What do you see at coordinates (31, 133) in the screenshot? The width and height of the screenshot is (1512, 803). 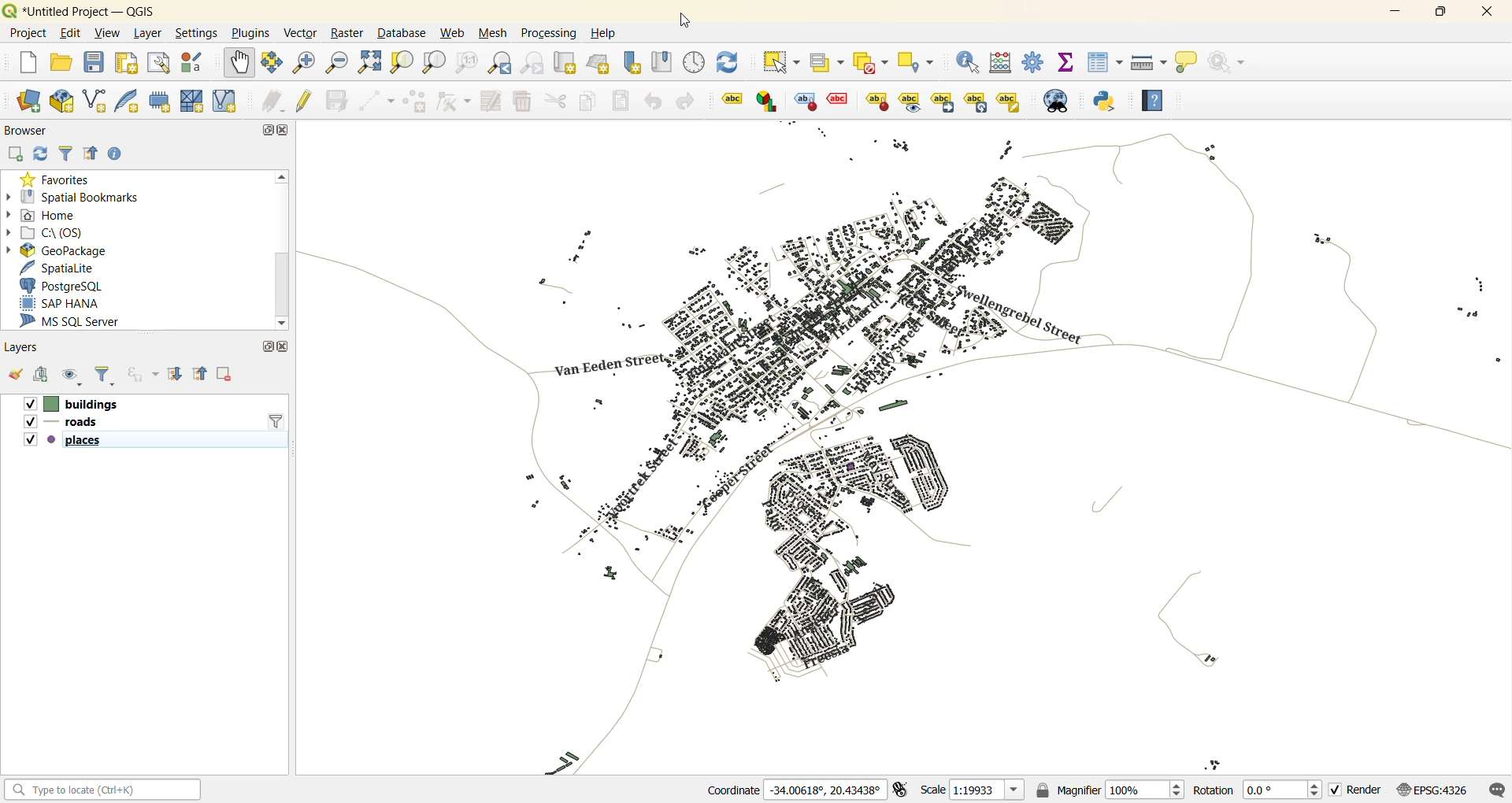 I see `browser` at bounding box center [31, 133].